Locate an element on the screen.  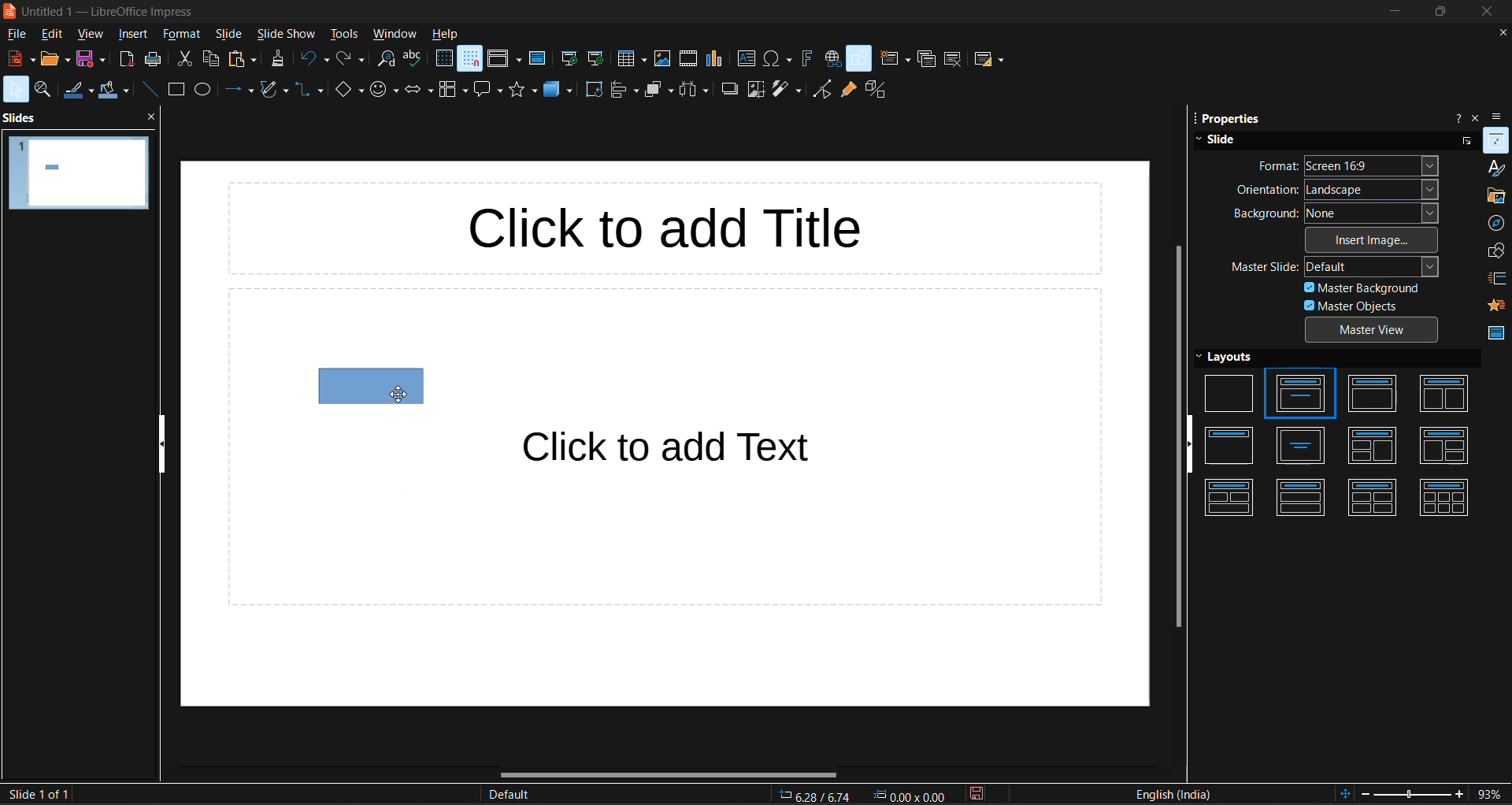
filter is located at coordinates (786, 91).